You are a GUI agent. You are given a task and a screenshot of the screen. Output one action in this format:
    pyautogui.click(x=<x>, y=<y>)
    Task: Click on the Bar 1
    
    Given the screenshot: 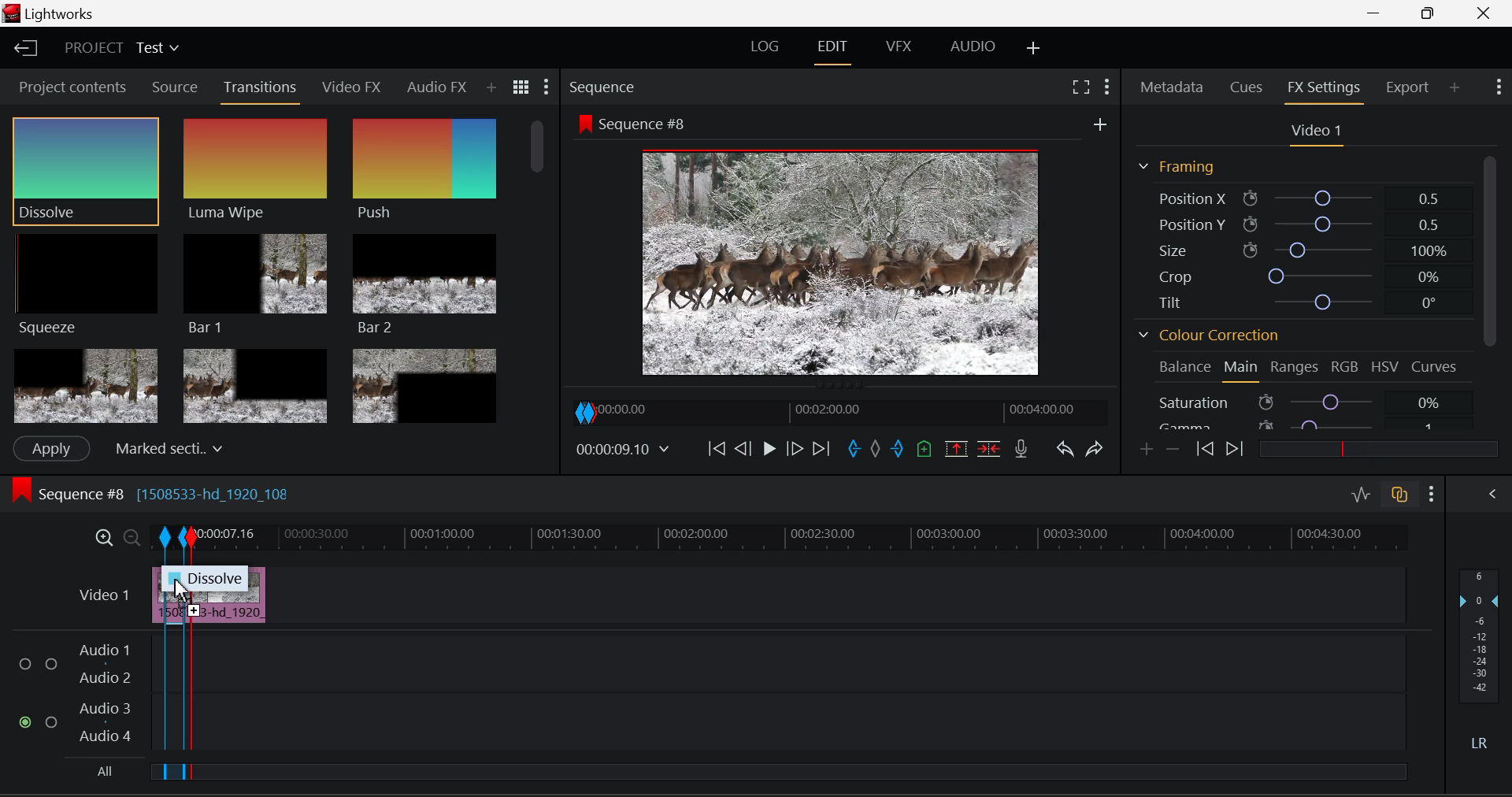 What is the action you would take?
    pyautogui.click(x=256, y=283)
    